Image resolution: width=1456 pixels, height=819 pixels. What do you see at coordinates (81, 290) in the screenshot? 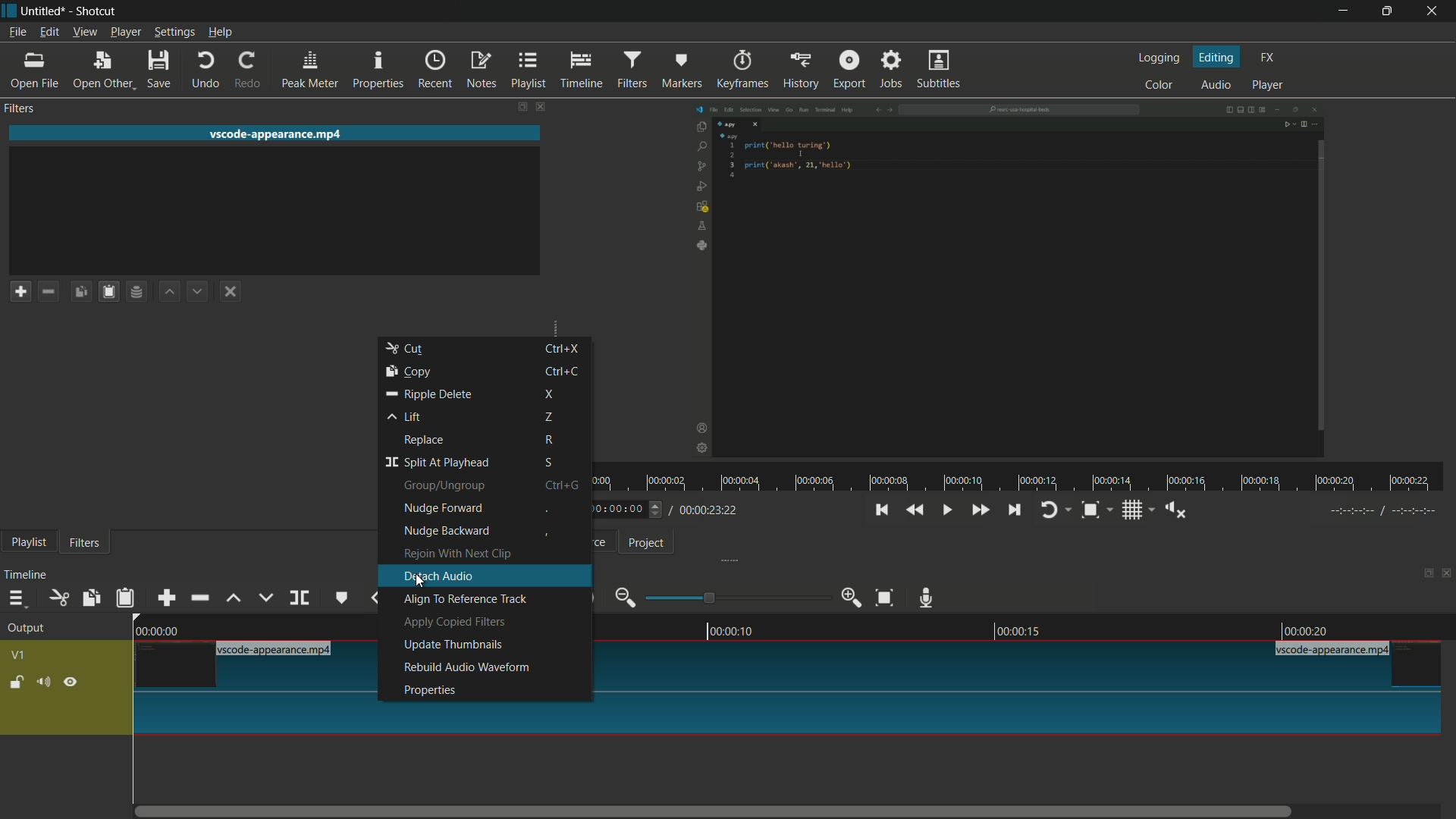
I see `copy checked filters` at bounding box center [81, 290].